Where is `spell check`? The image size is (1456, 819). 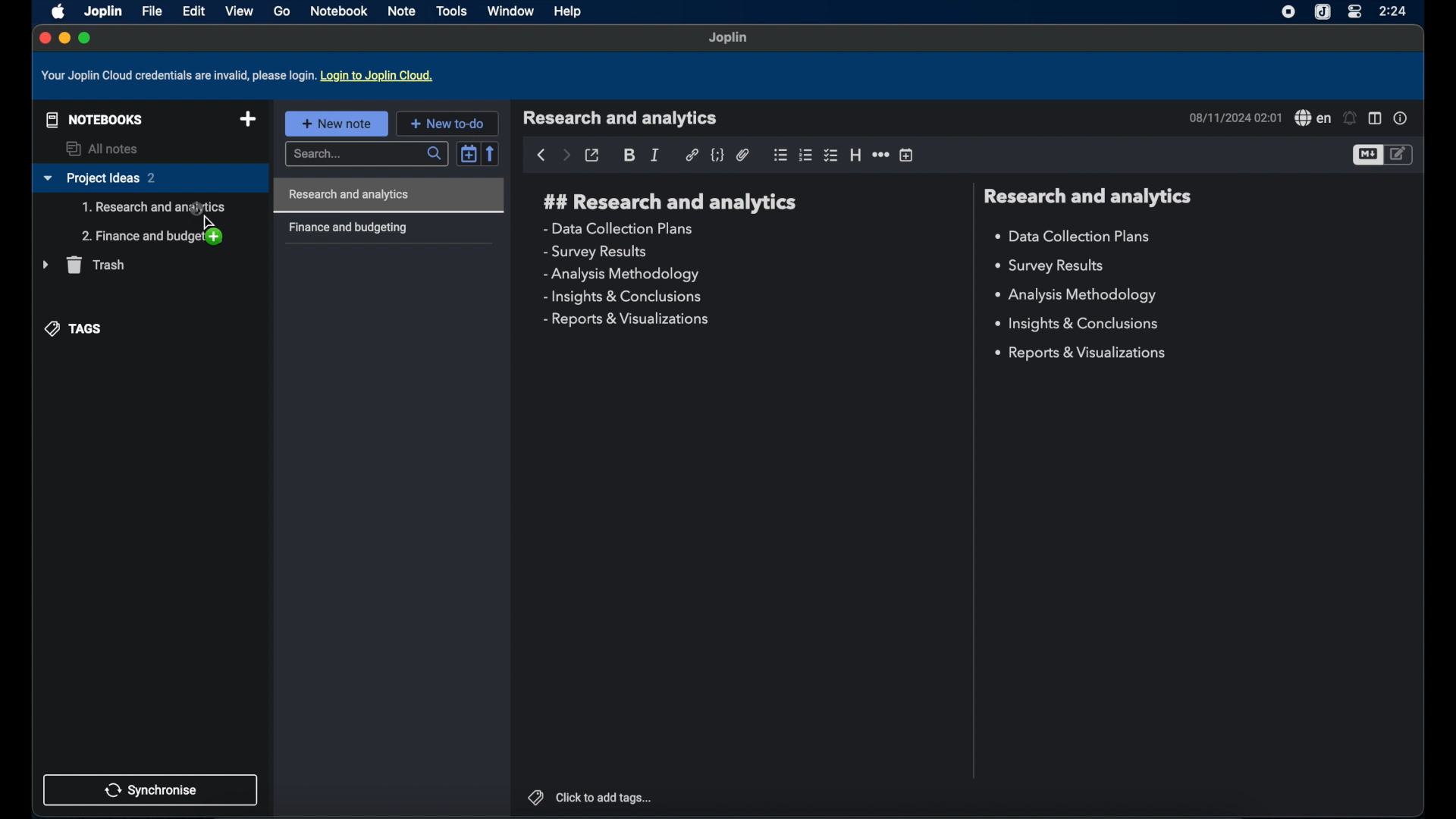
spell check is located at coordinates (1312, 118).